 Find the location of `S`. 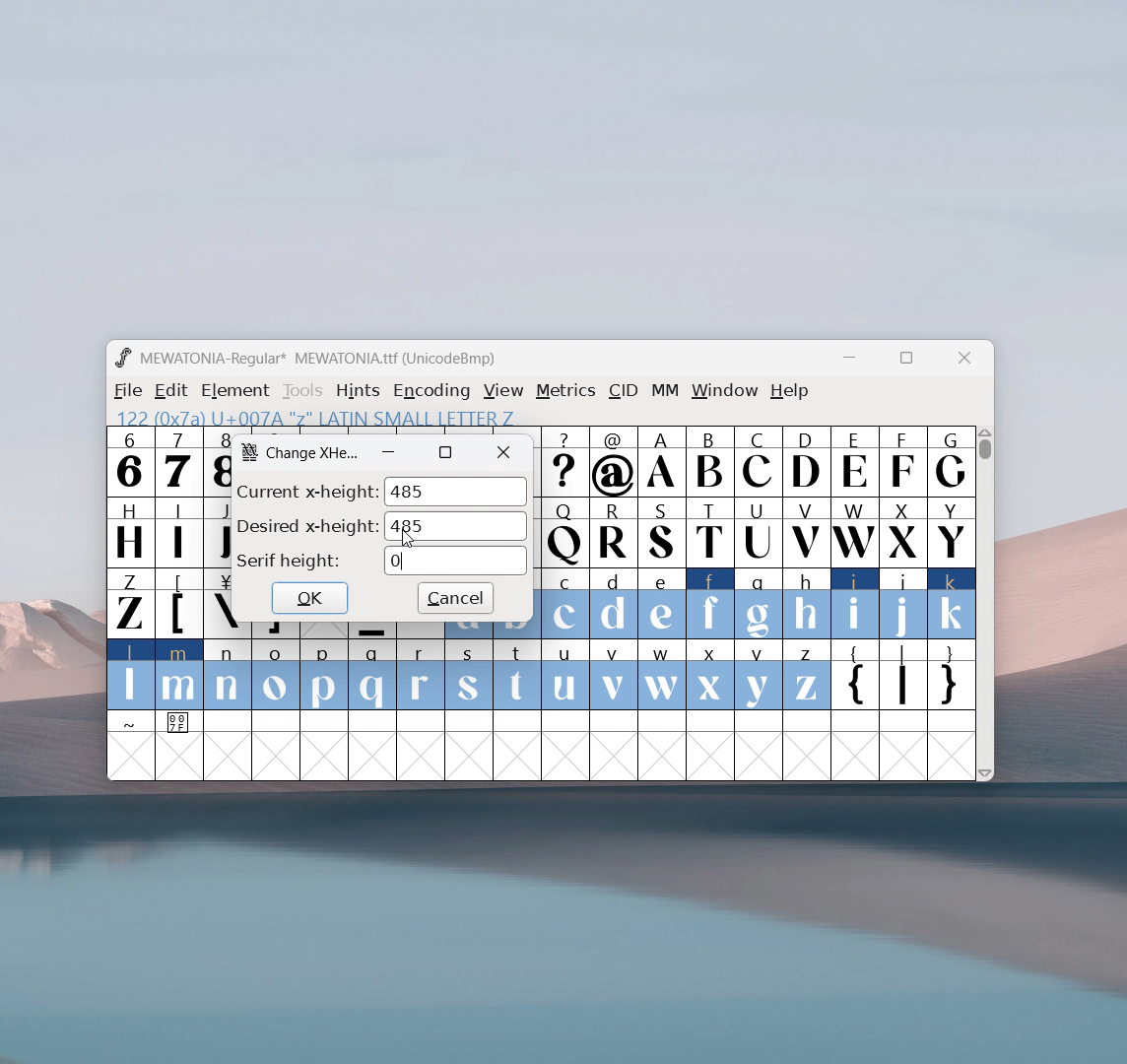

S is located at coordinates (662, 534).